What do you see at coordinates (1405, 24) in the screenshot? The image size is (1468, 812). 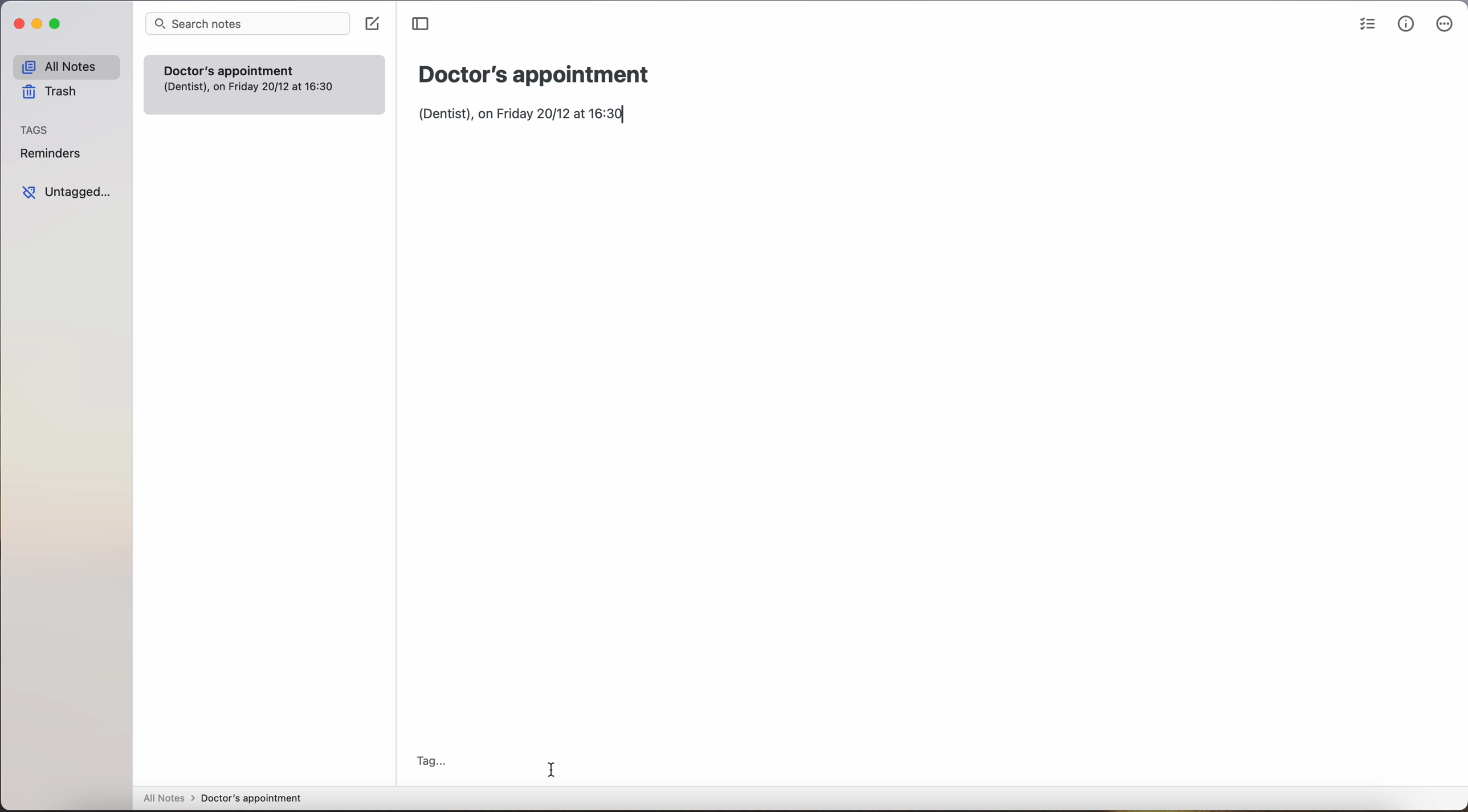 I see `metrics` at bounding box center [1405, 24].